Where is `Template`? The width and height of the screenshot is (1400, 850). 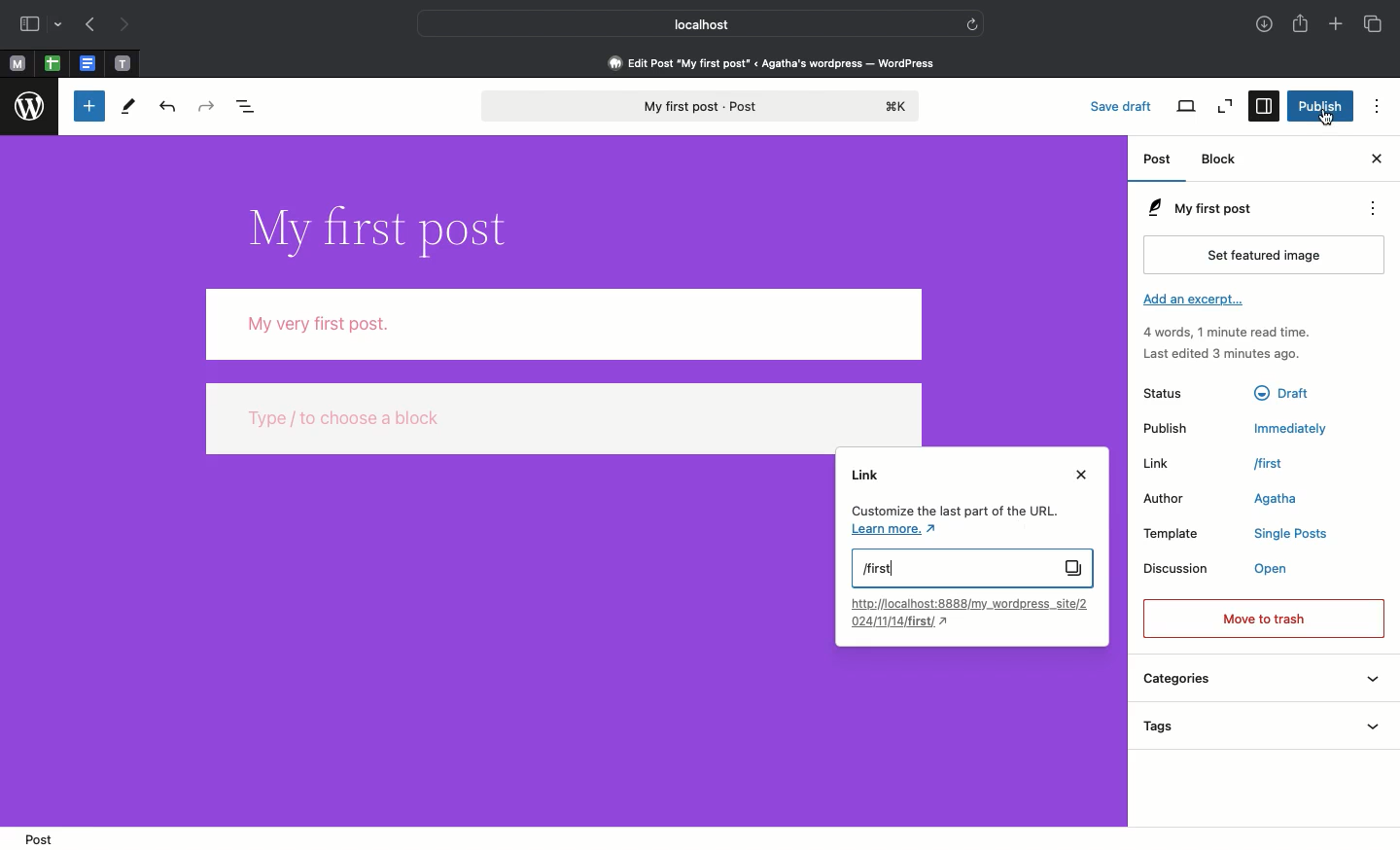
Template is located at coordinates (1174, 533).